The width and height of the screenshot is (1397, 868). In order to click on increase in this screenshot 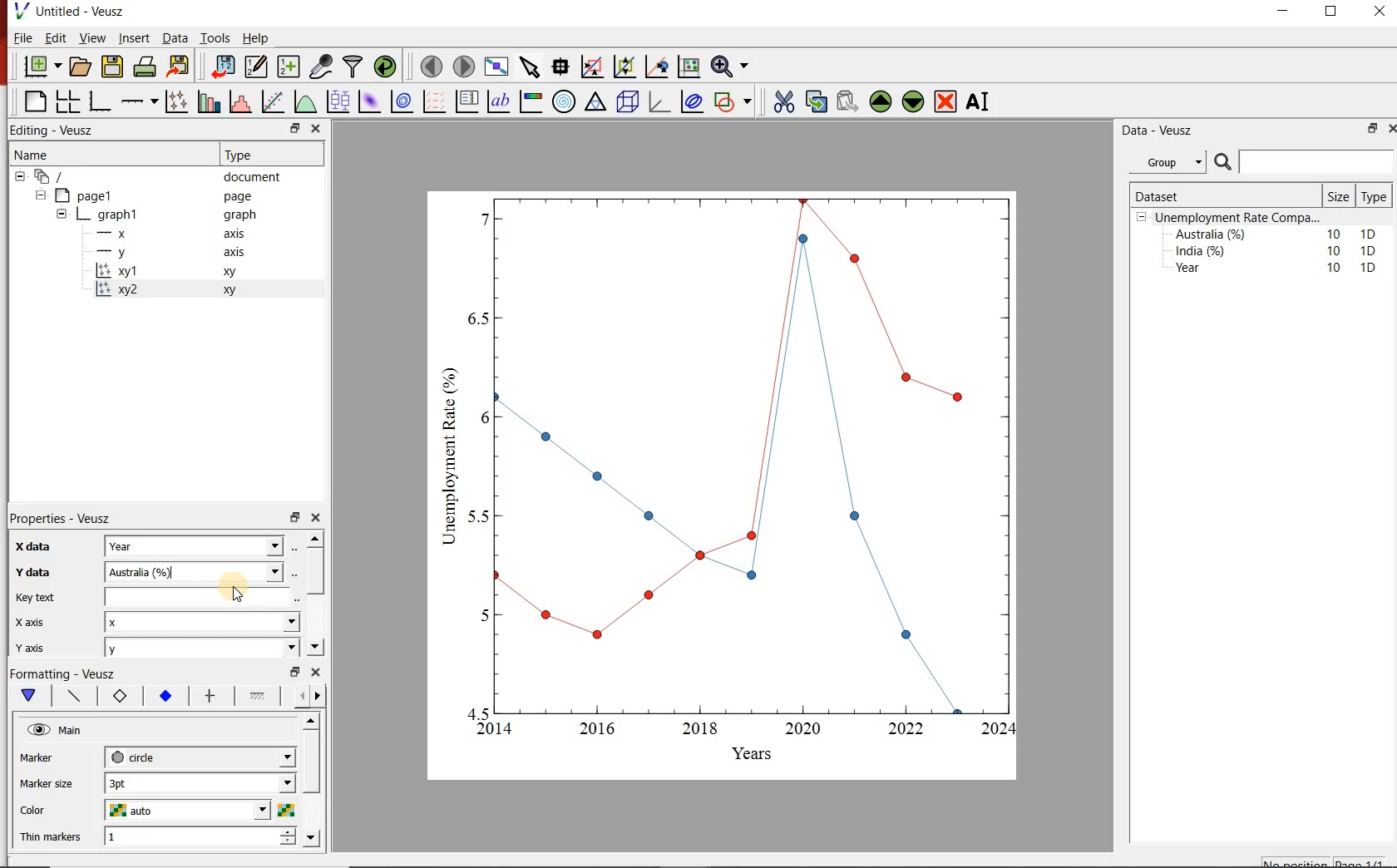, I will do `click(290, 831)`.